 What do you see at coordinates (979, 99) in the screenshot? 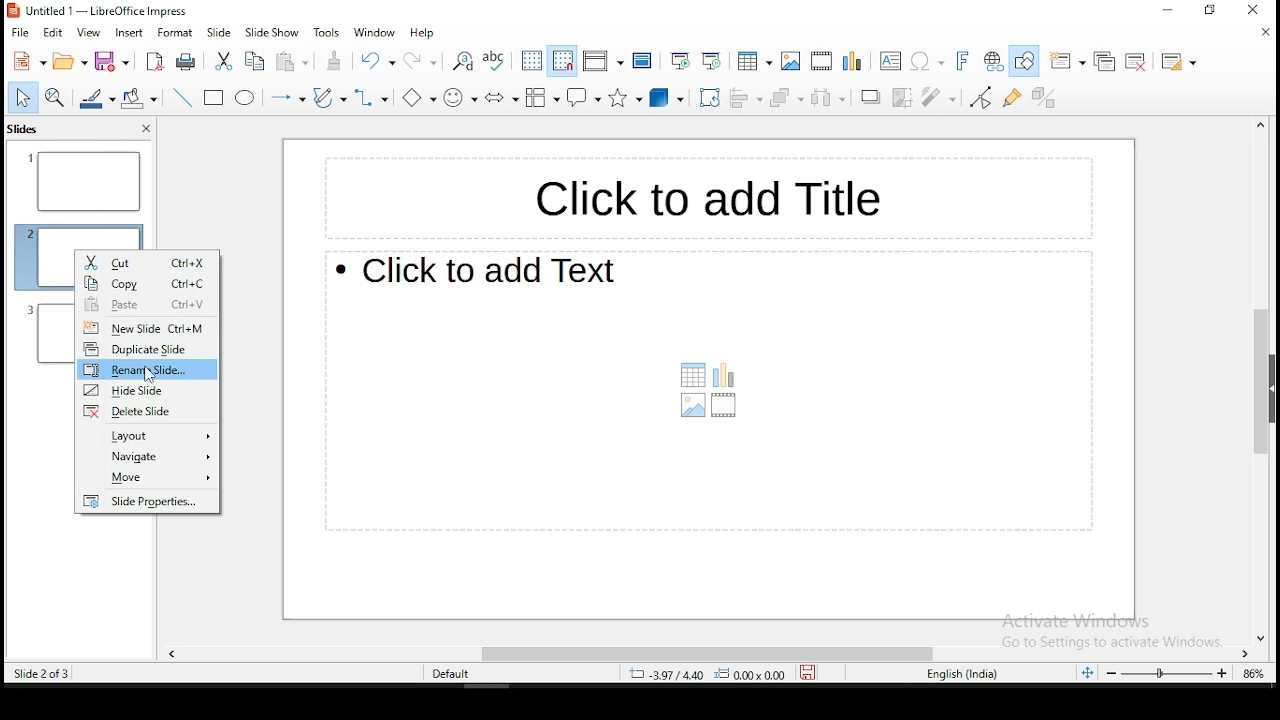
I see `toggle point edit mode` at bounding box center [979, 99].